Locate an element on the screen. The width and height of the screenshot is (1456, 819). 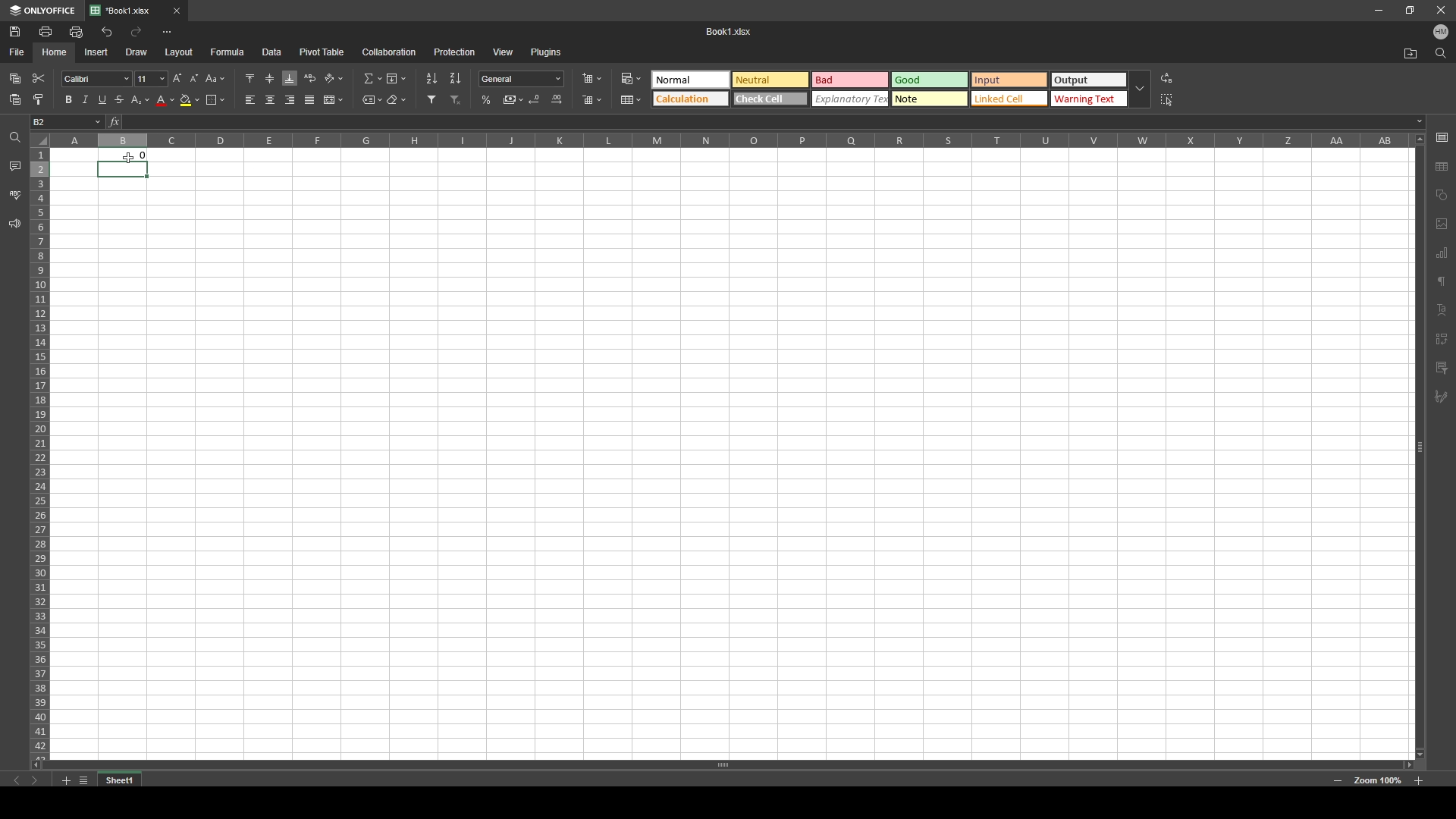
output is located at coordinates (127, 153).